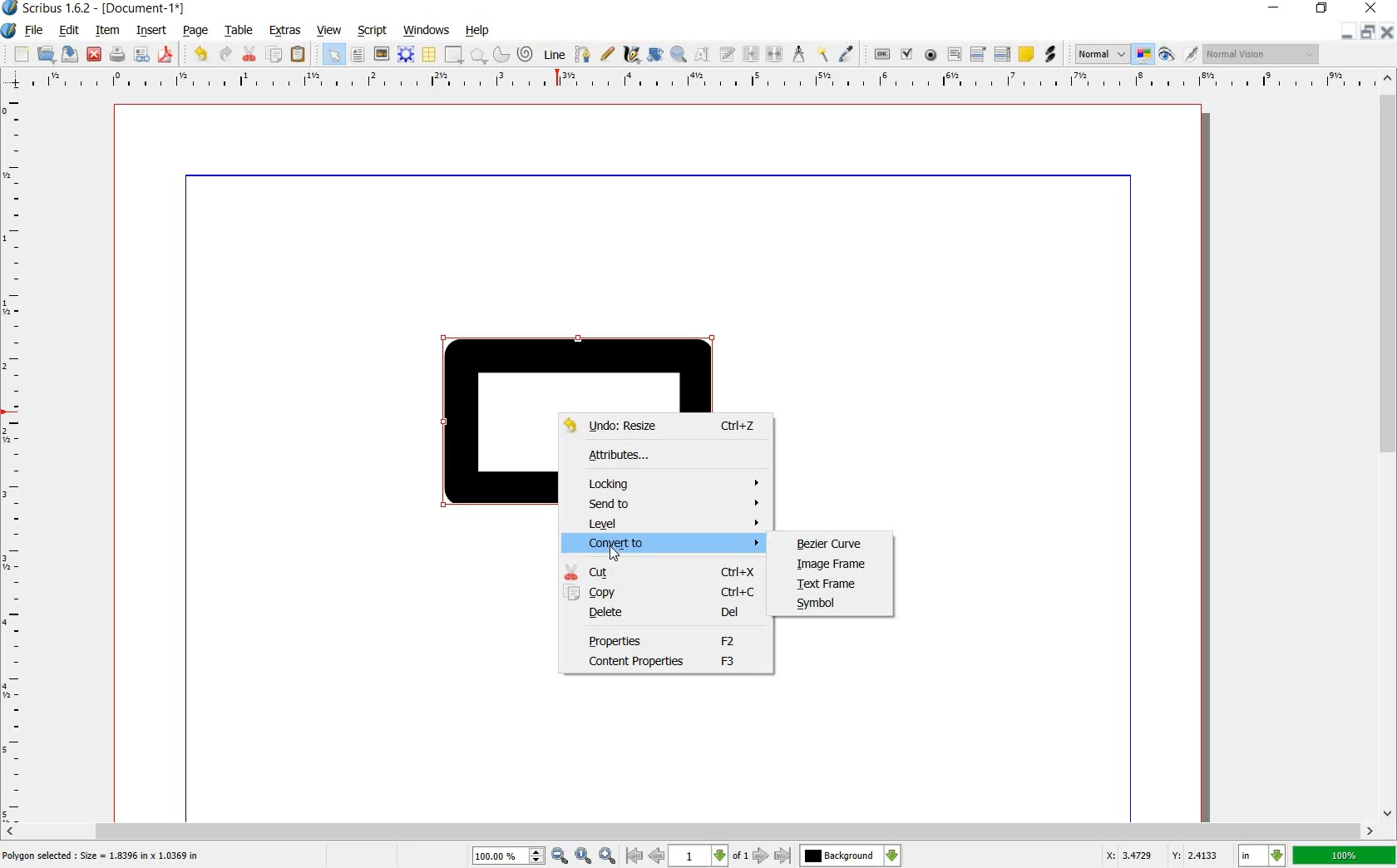 The image size is (1397, 868). Describe the element at coordinates (678, 52) in the screenshot. I see `zoom in or out` at that location.